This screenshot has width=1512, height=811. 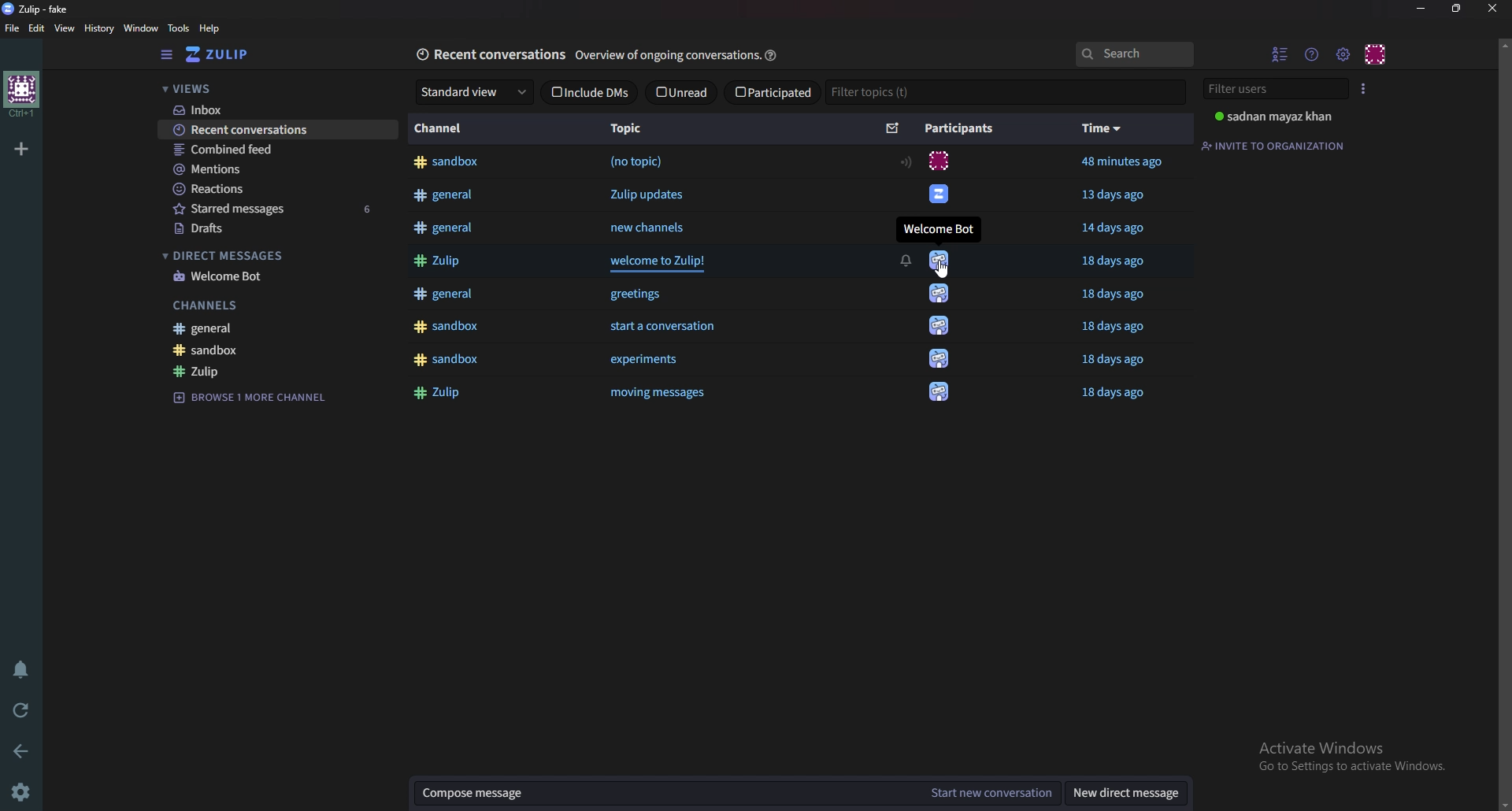 I want to click on edit, so click(x=36, y=27).